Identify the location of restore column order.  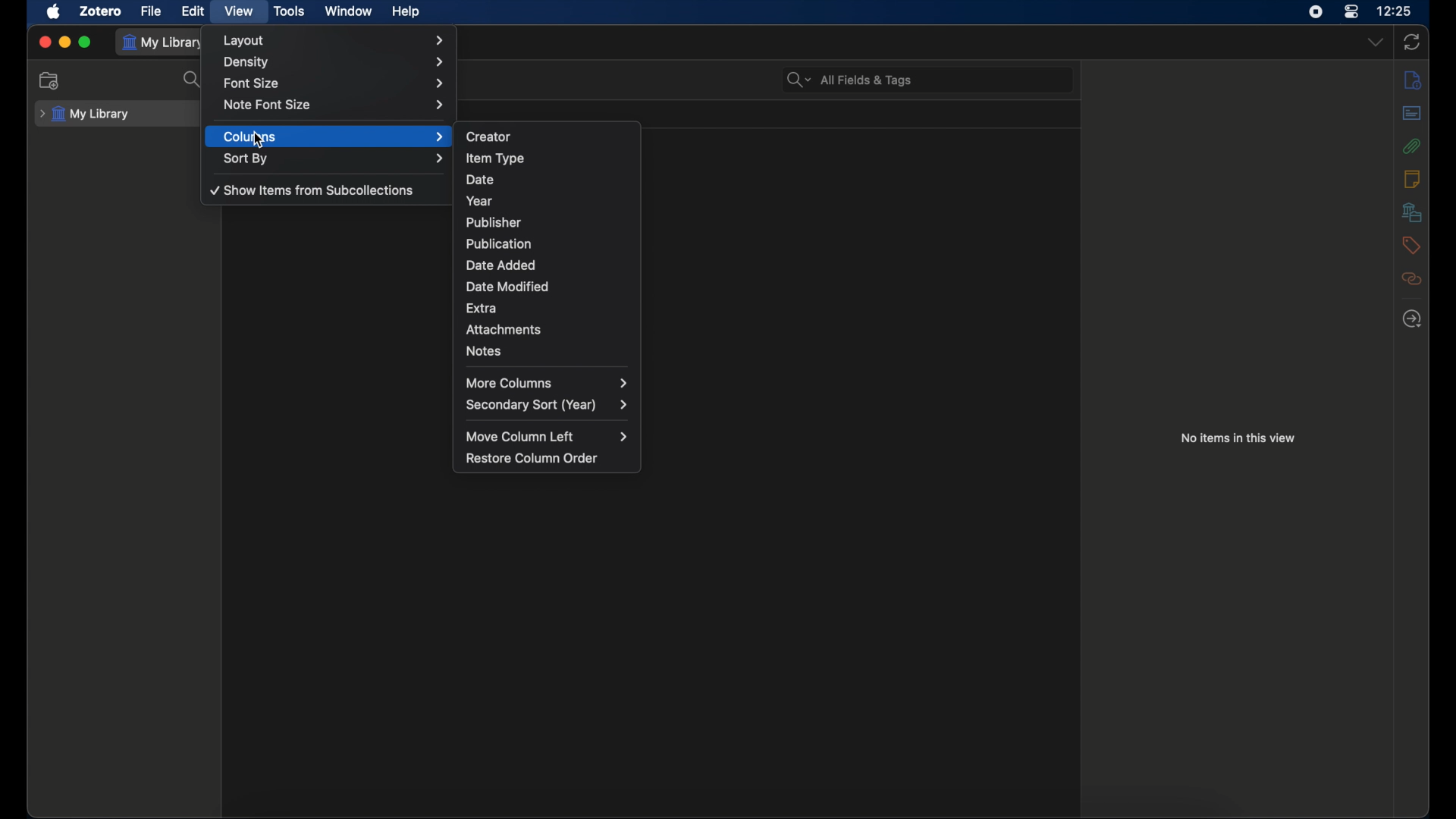
(532, 457).